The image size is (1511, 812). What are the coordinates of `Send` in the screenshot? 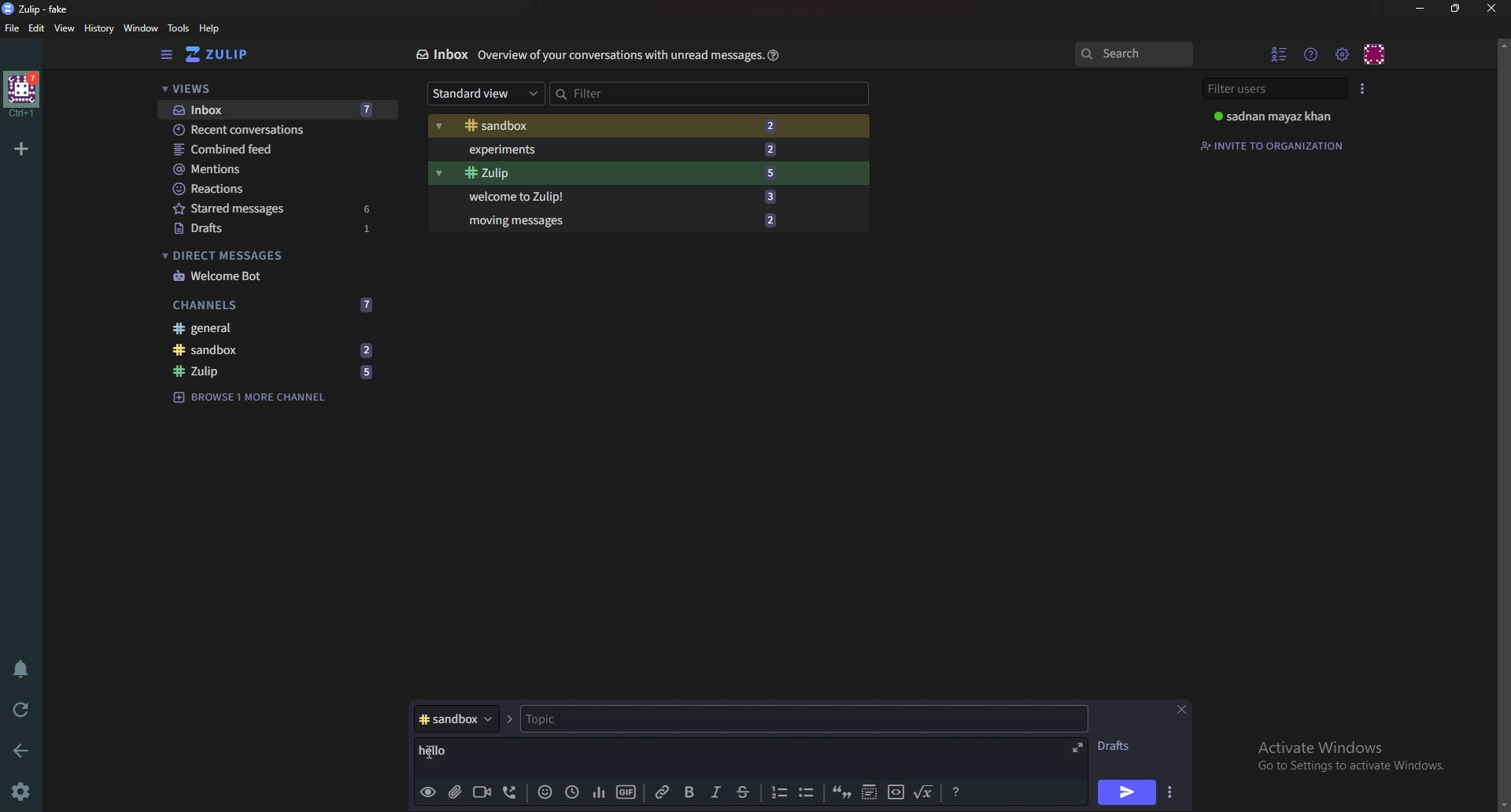 It's located at (1126, 792).